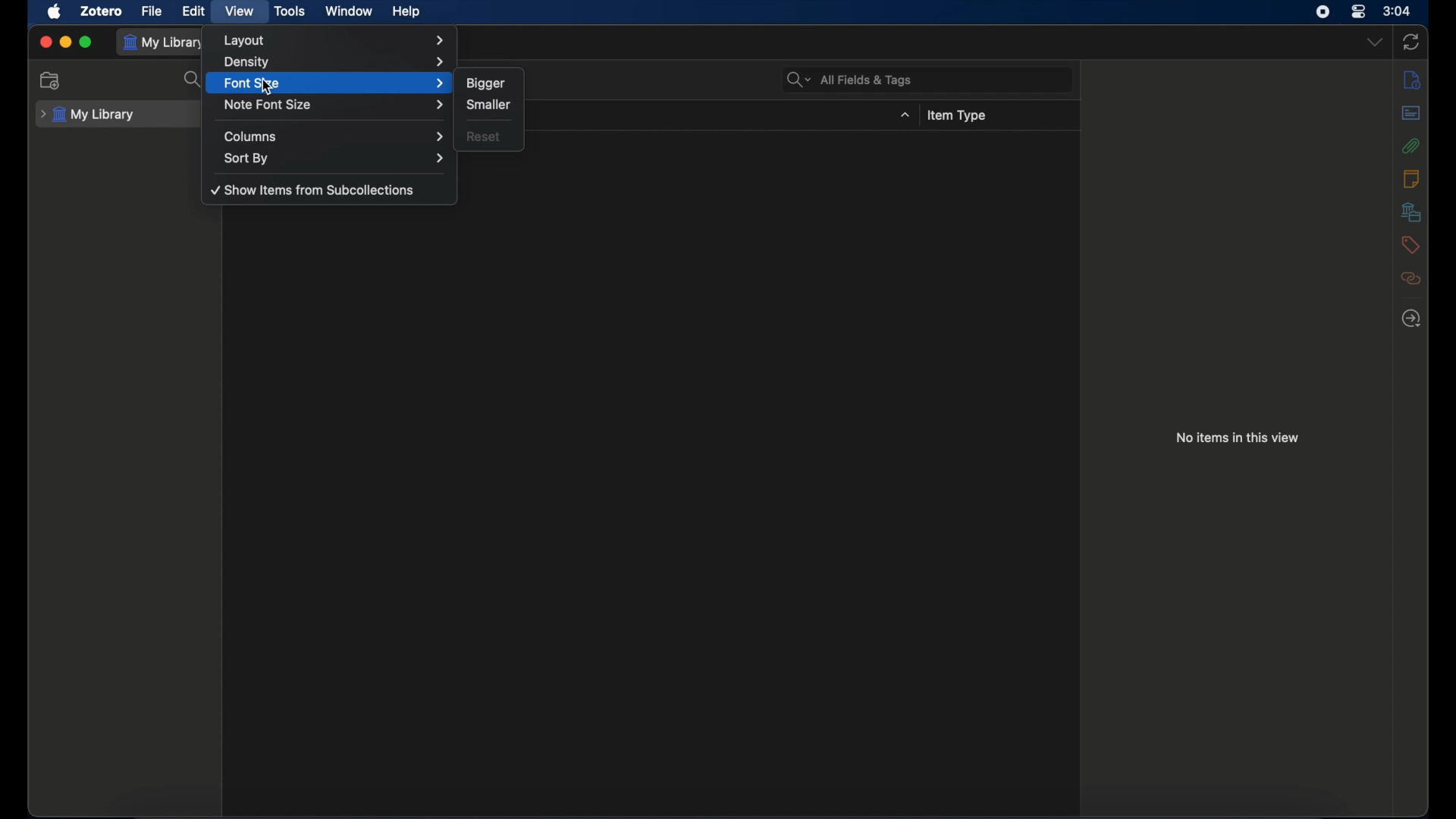 The image size is (1456, 819). Describe the element at coordinates (485, 83) in the screenshot. I see `bigger` at that location.